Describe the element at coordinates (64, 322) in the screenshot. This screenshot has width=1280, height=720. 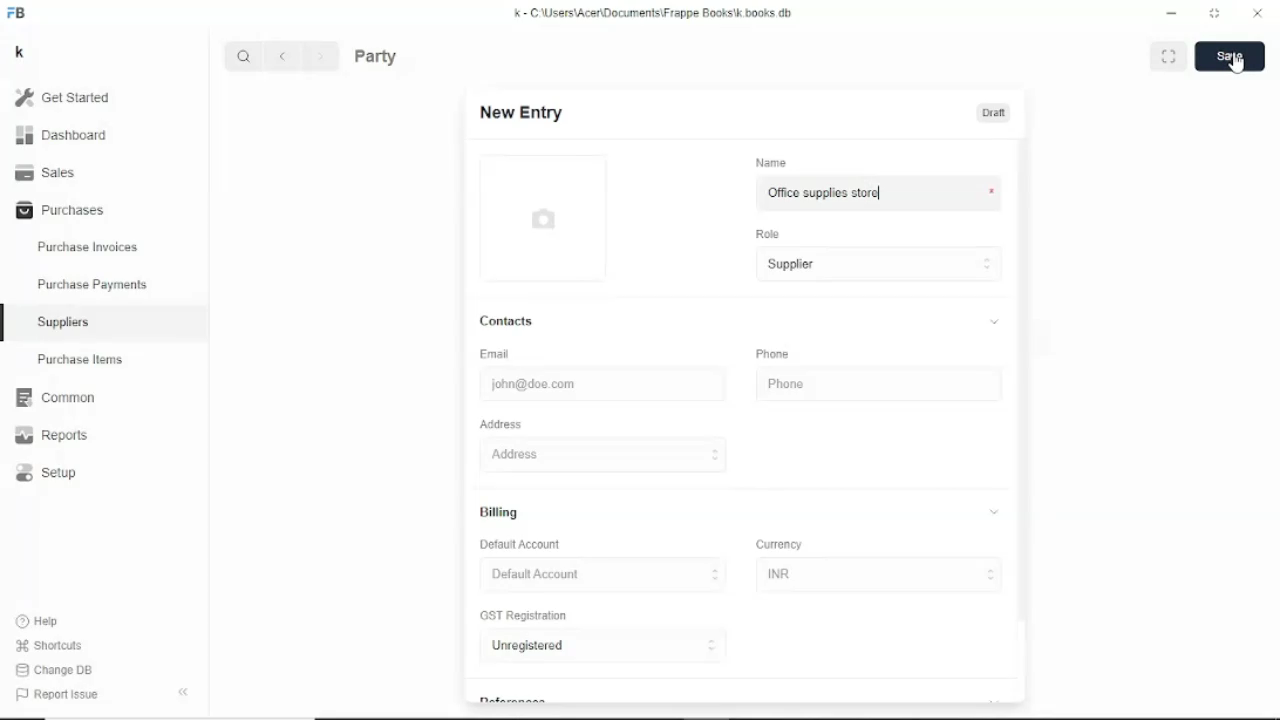
I see `Suppliers` at that location.